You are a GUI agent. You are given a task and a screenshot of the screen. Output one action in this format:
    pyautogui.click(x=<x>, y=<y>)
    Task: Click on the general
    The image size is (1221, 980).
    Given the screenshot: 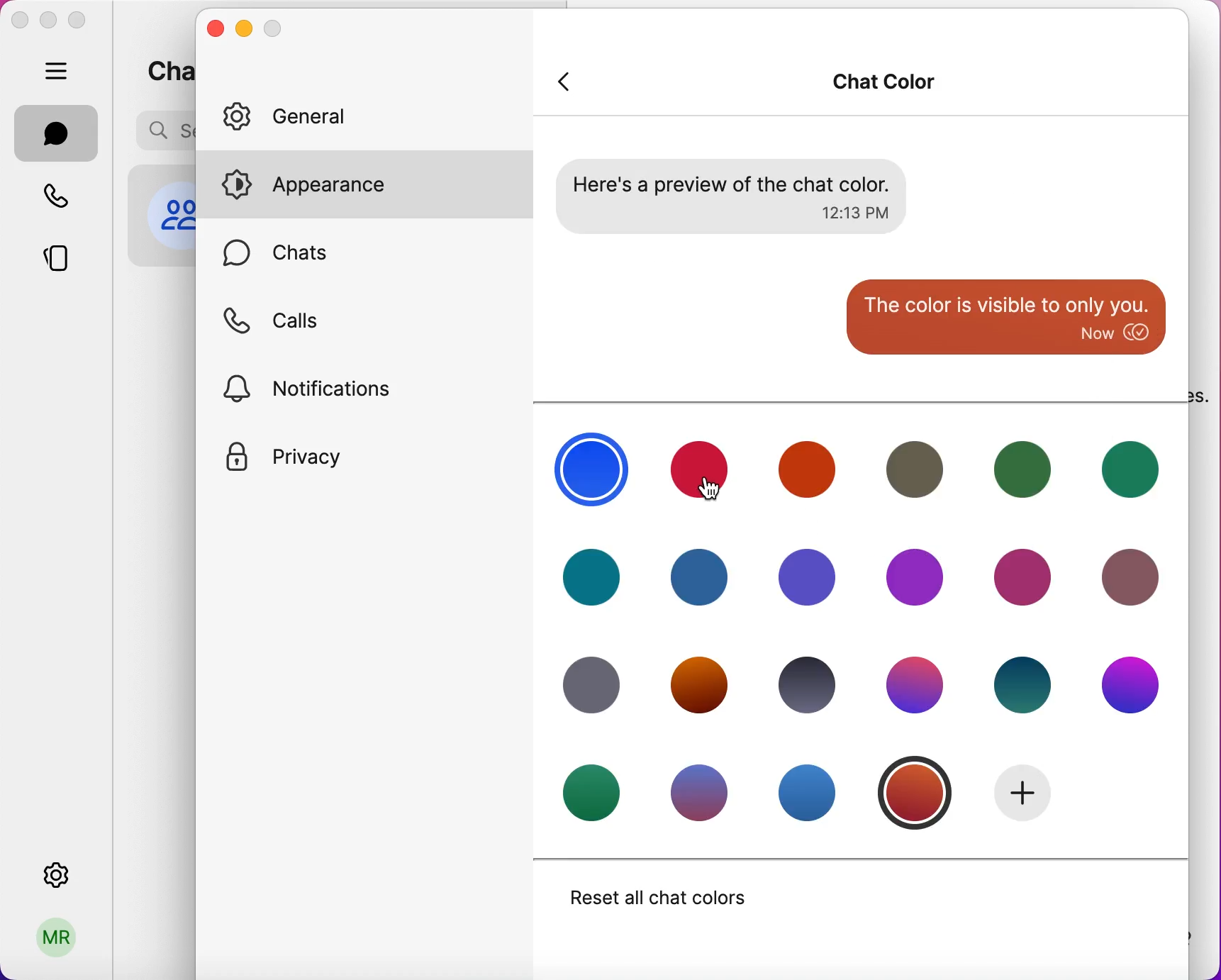 What is the action you would take?
    pyautogui.click(x=323, y=116)
    